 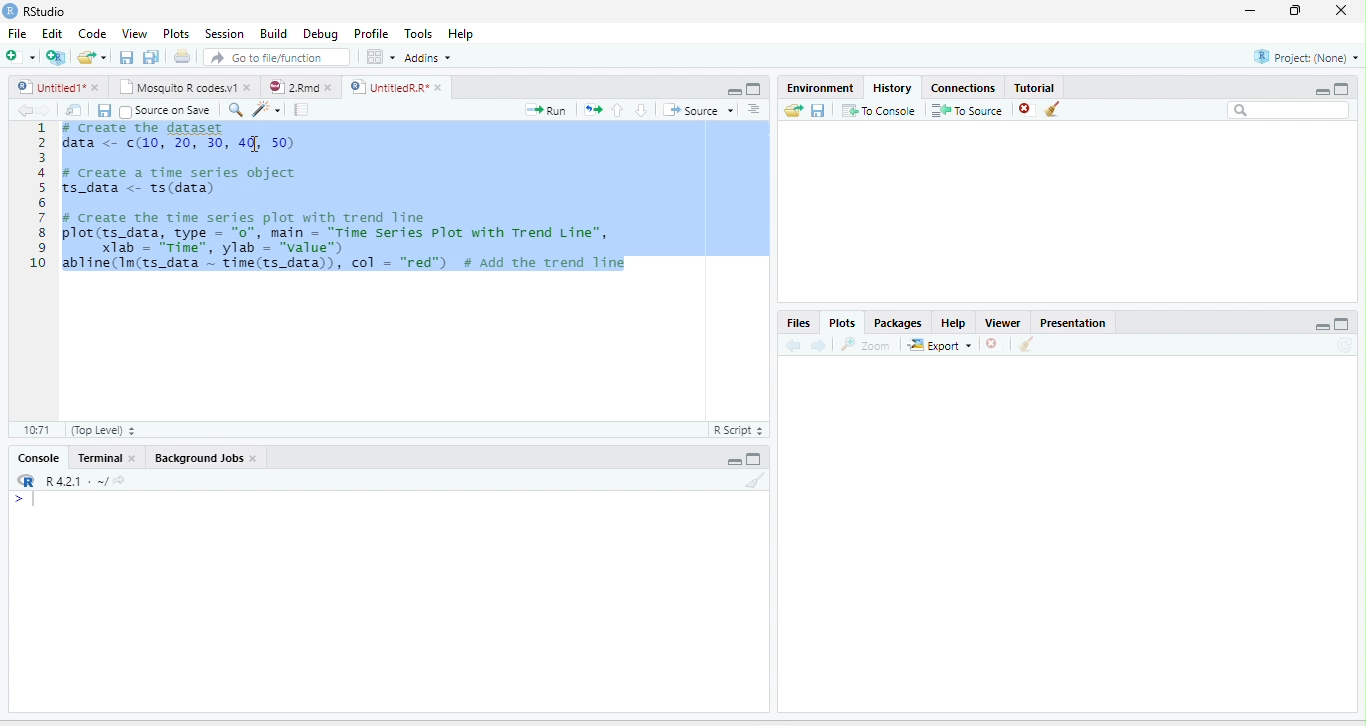 What do you see at coordinates (27, 480) in the screenshot?
I see `R` at bounding box center [27, 480].